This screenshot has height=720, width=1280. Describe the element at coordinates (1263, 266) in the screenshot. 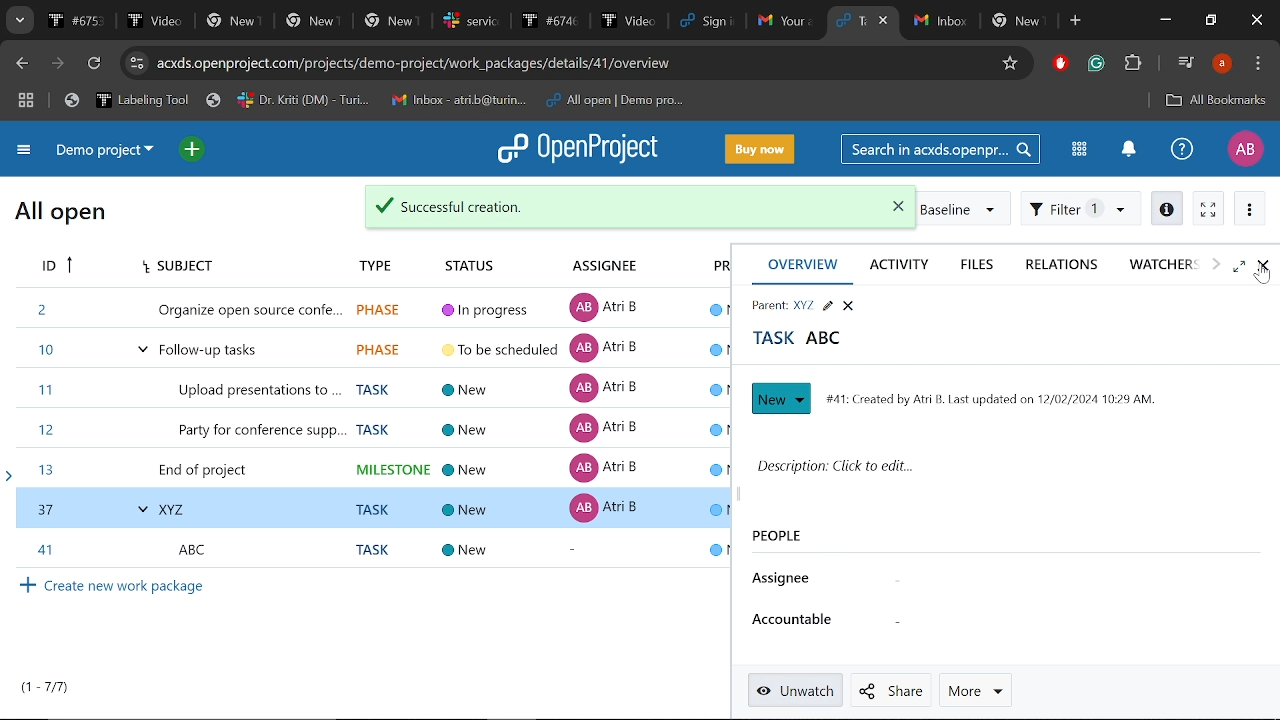

I see `Close` at that location.